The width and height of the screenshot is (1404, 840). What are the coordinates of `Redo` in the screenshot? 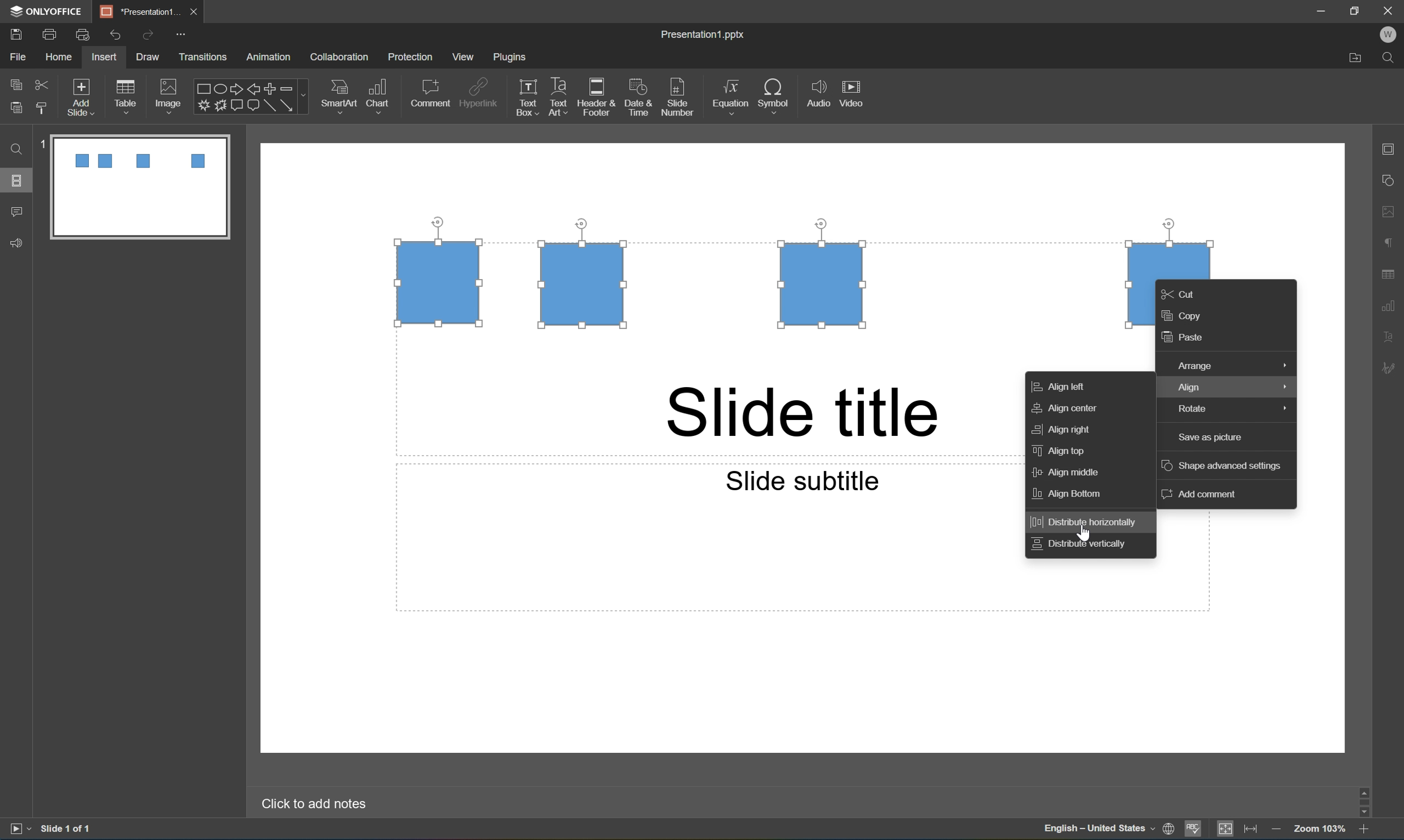 It's located at (148, 36).